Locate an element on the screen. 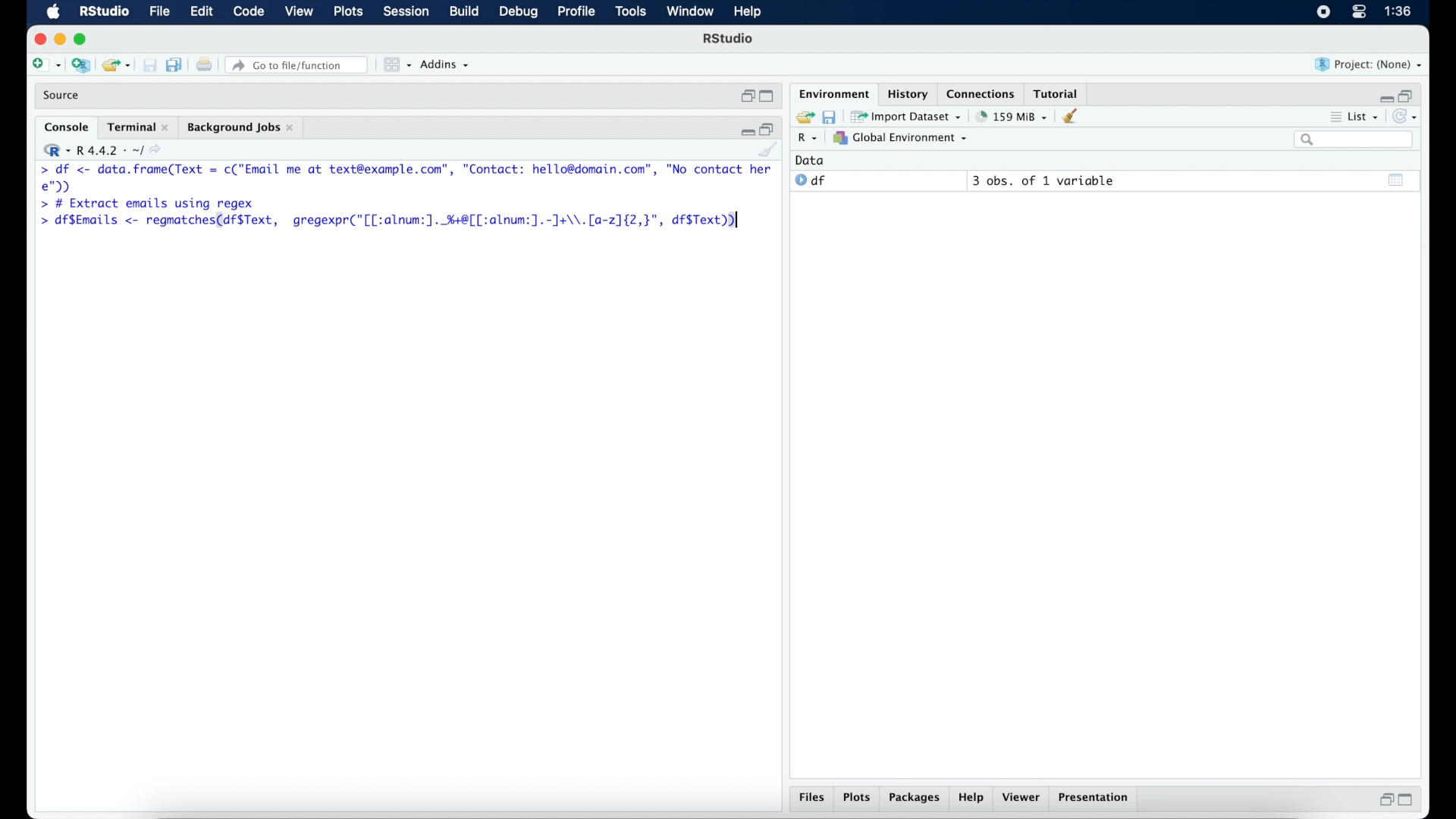 This screenshot has width=1456, height=819. > # Extract emails using regex| is located at coordinates (146, 204).